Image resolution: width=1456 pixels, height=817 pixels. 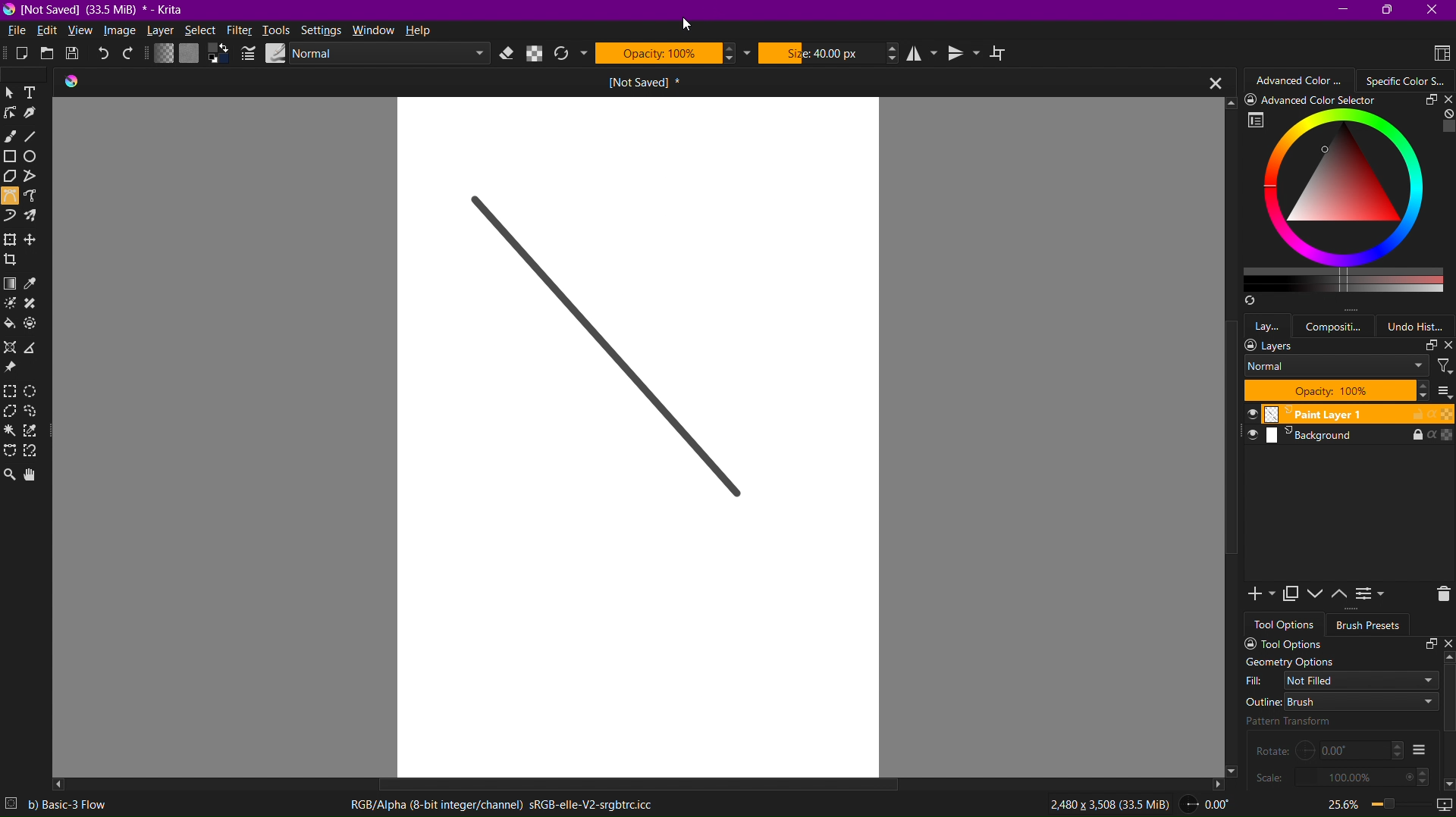 What do you see at coordinates (11, 324) in the screenshot?
I see `Fill area with color` at bounding box center [11, 324].